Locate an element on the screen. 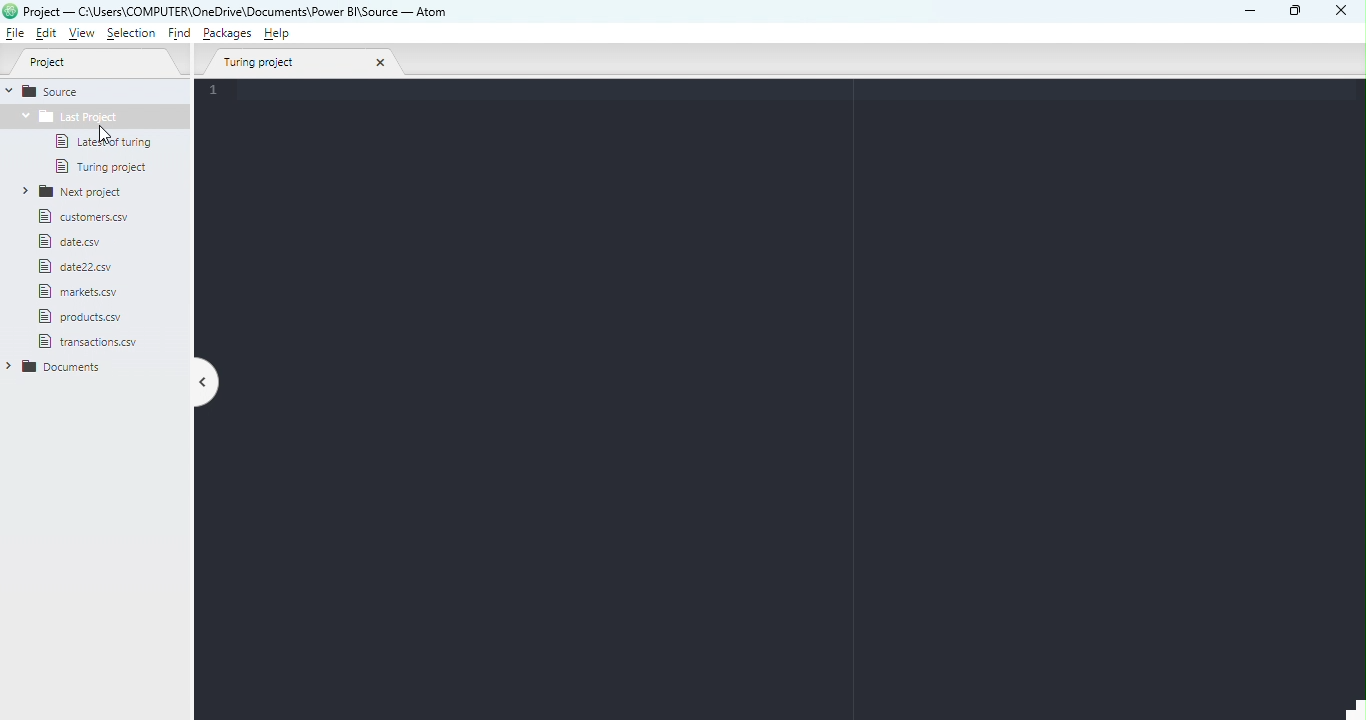  workspace is located at coordinates (791, 409).